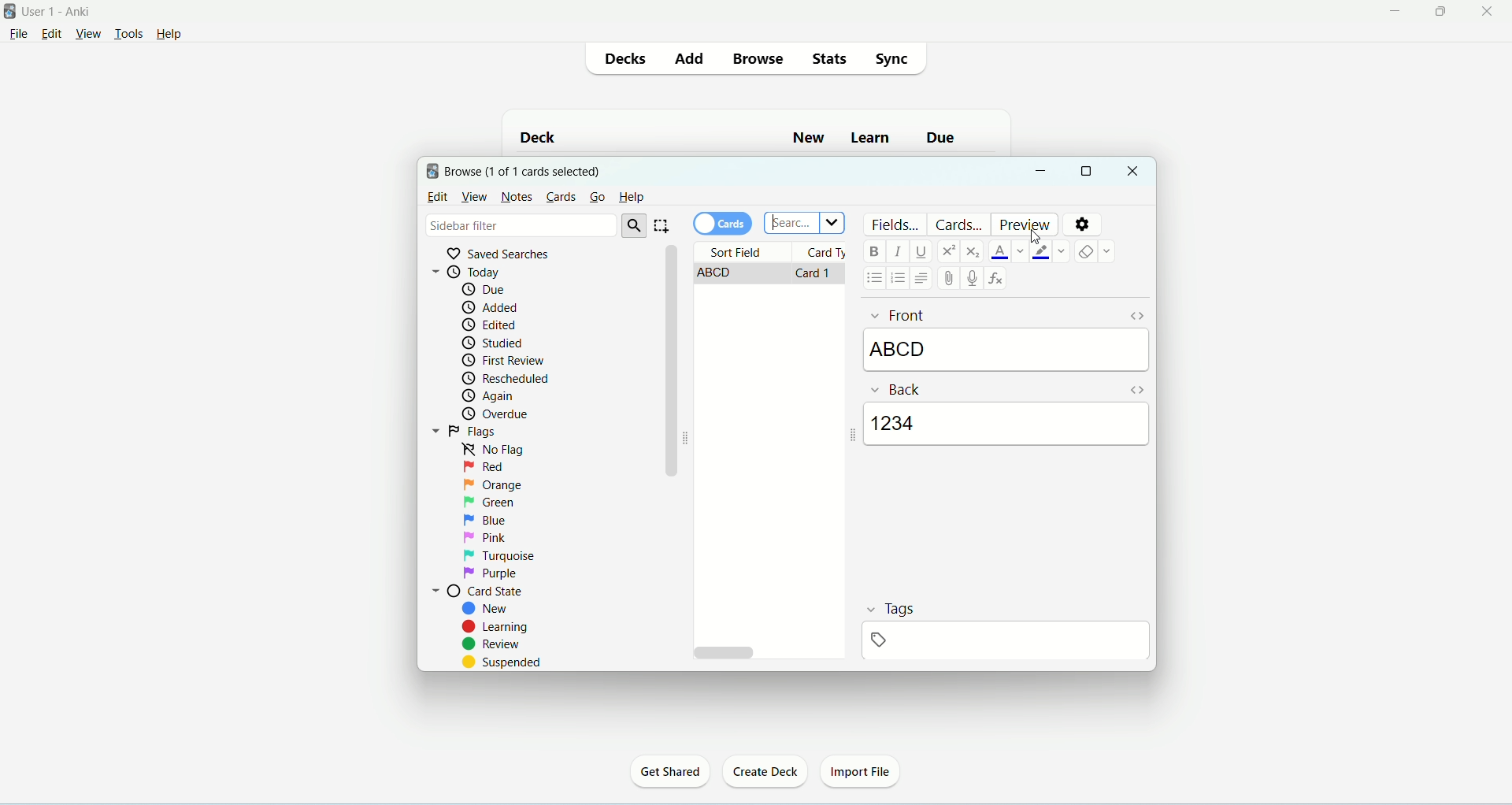  I want to click on flag, so click(467, 432).